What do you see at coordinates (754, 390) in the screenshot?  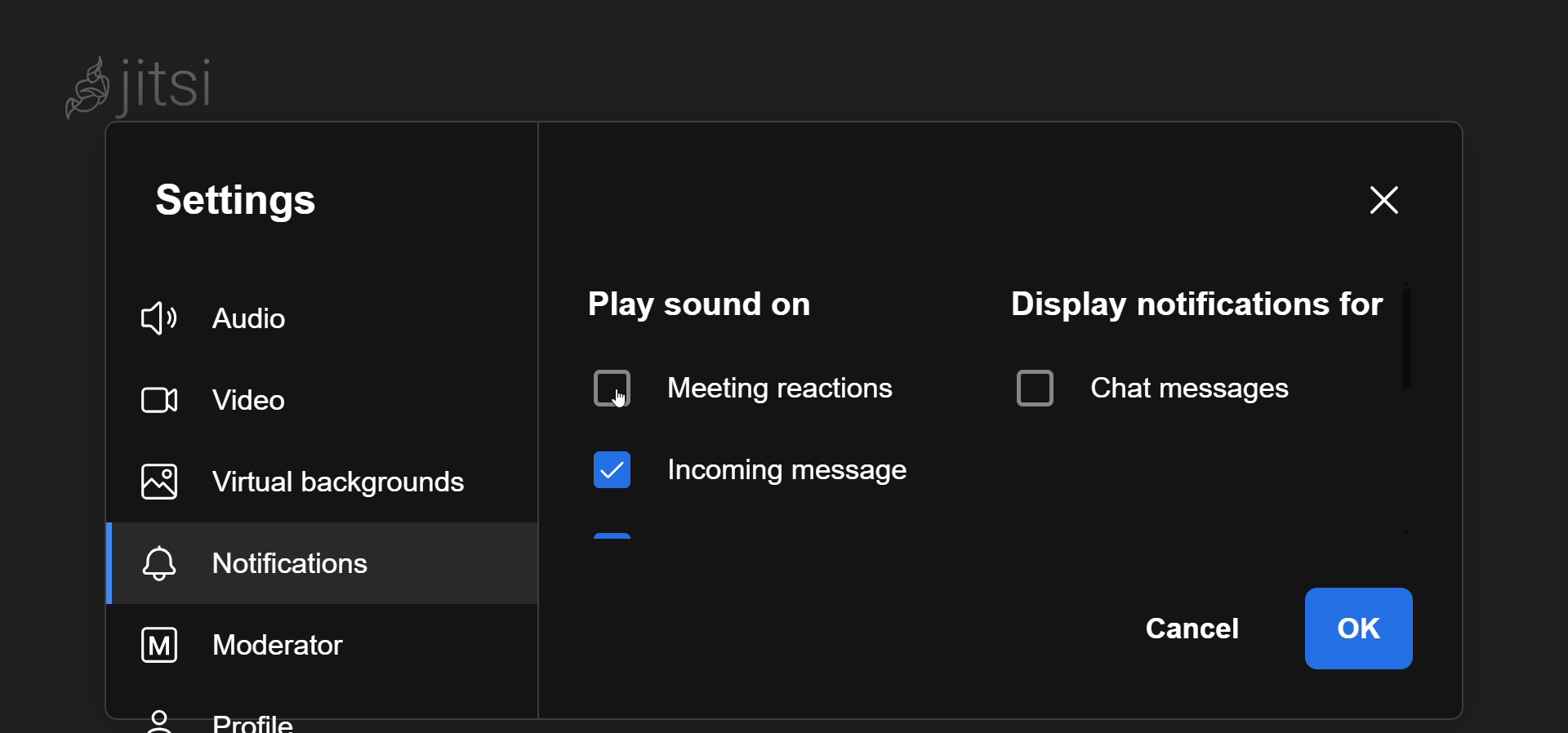 I see `disabled meeting reaction` at bounding box center [754, 390].